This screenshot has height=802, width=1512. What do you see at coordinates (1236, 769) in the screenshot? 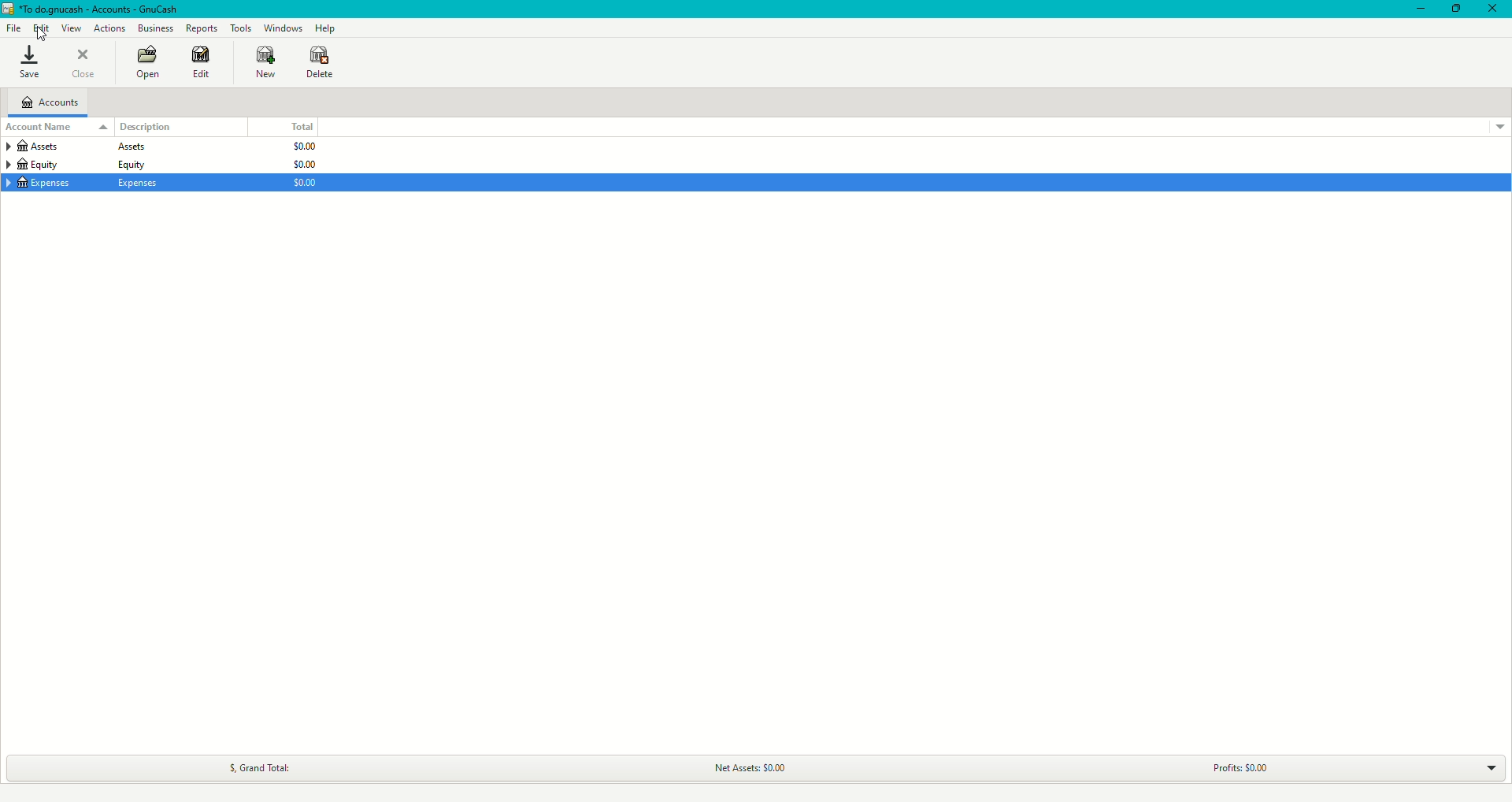
I see `Profits` at bounding box center [1236, 769].